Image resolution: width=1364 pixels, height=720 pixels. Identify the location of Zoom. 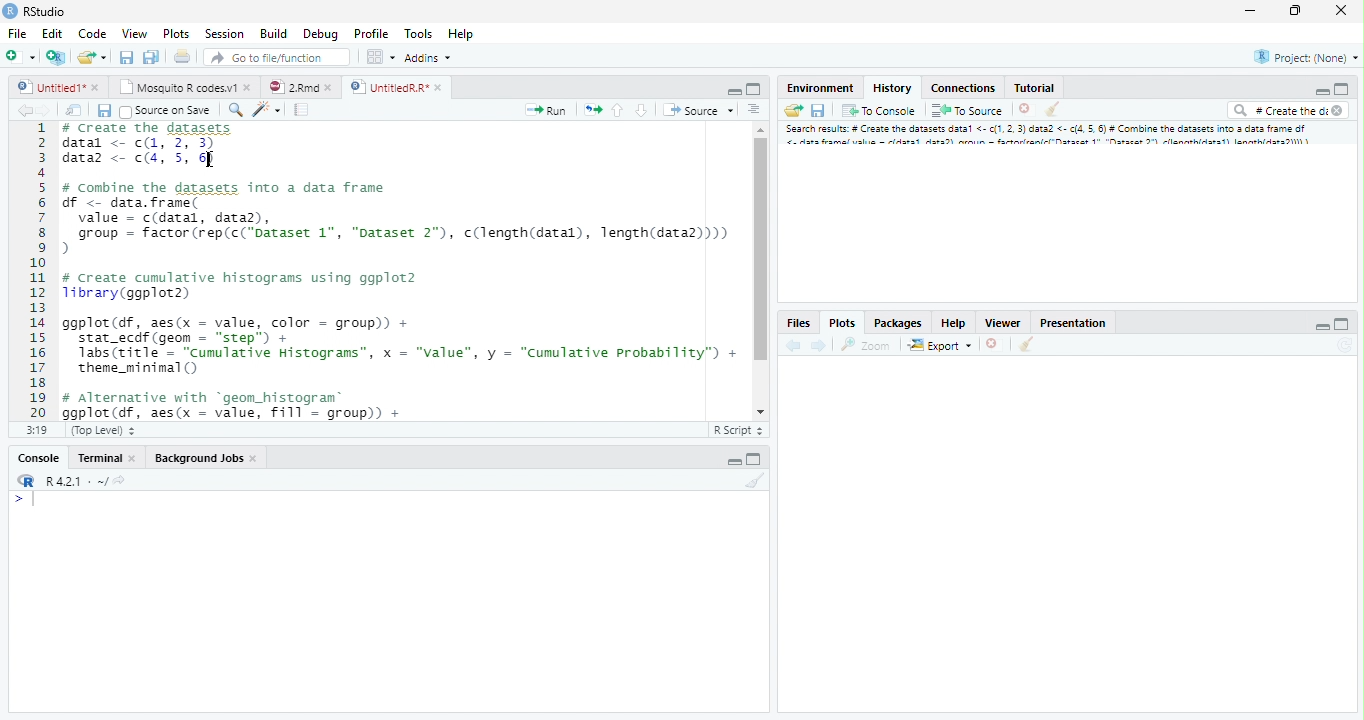
(864, 346).